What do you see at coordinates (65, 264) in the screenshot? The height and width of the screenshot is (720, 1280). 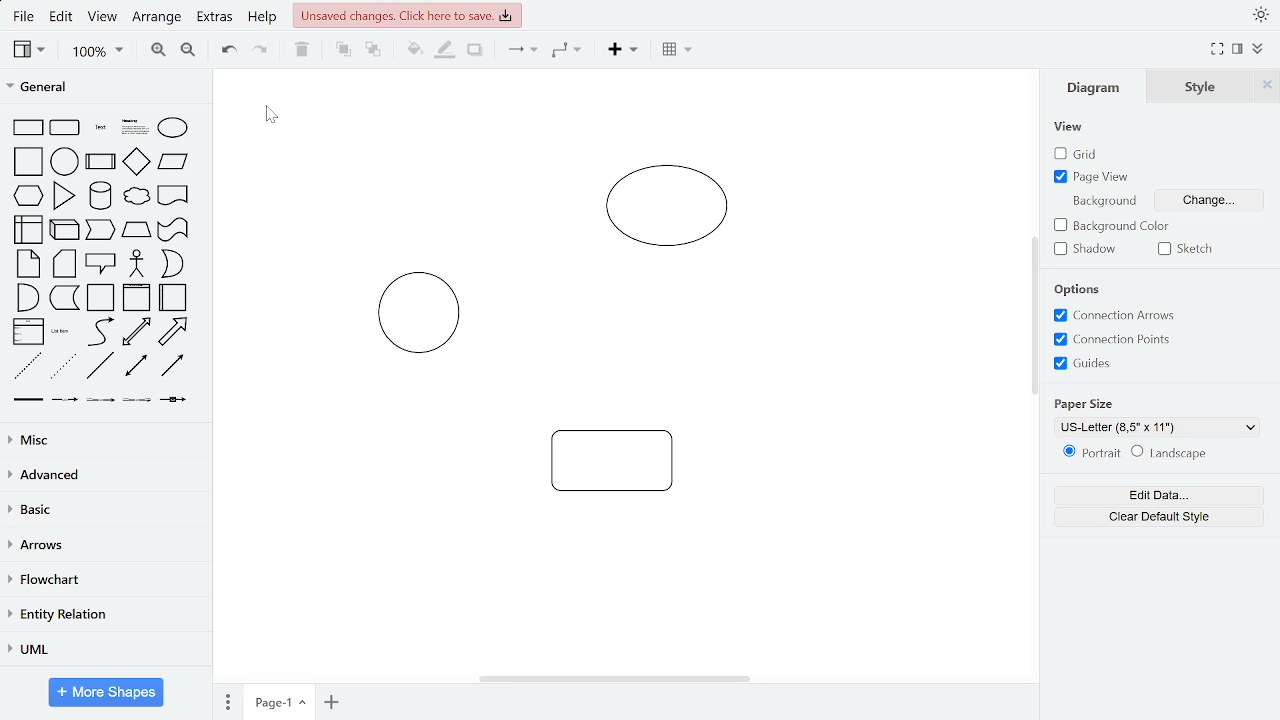 I see `card` at bounding box center [65, 264].